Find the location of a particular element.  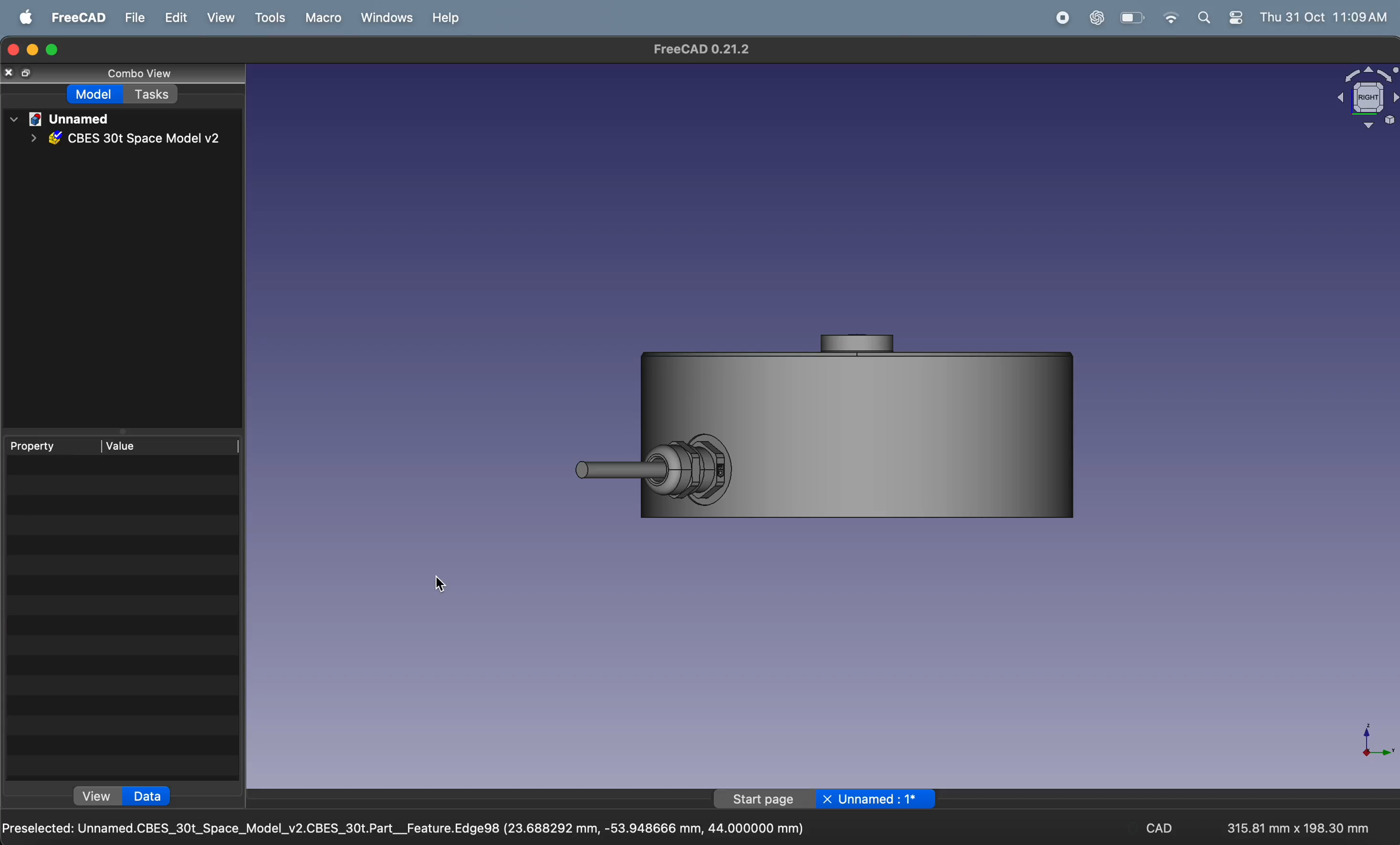

cursor is located at coordinates (434, 588).